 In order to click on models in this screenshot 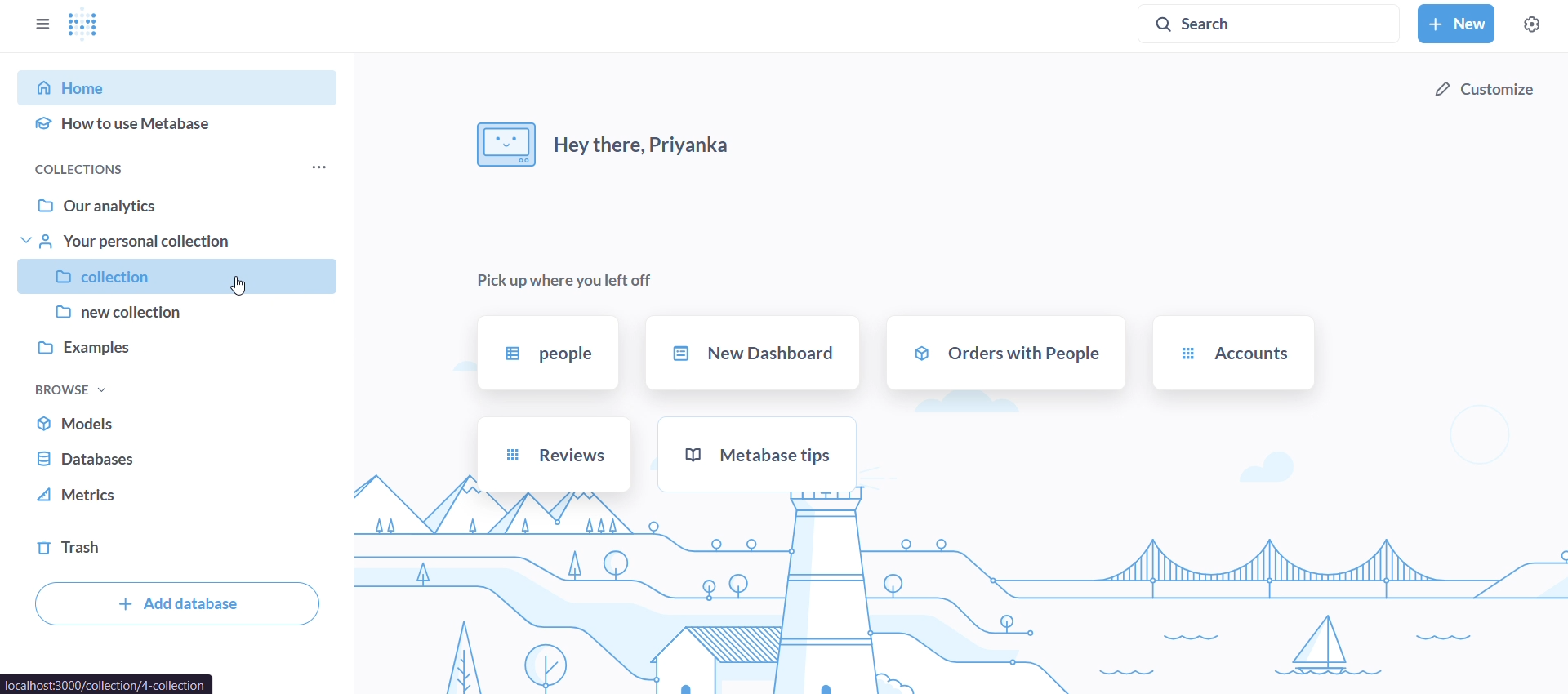, I will do `click(183, 425)`.